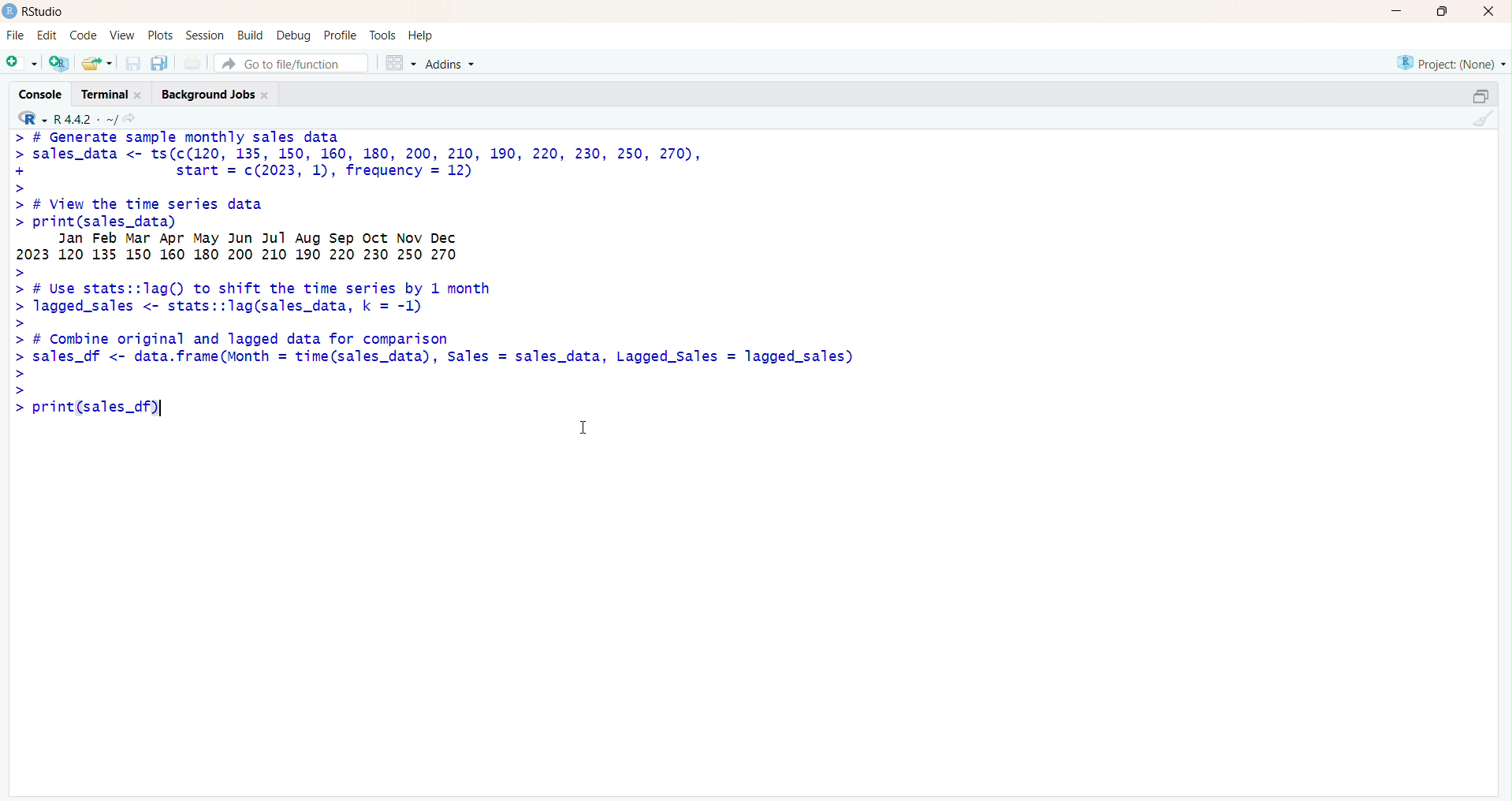  What do you see at coordinates (41, 95) in the screenshot?
I see `console` at bounding box center [41, 95].